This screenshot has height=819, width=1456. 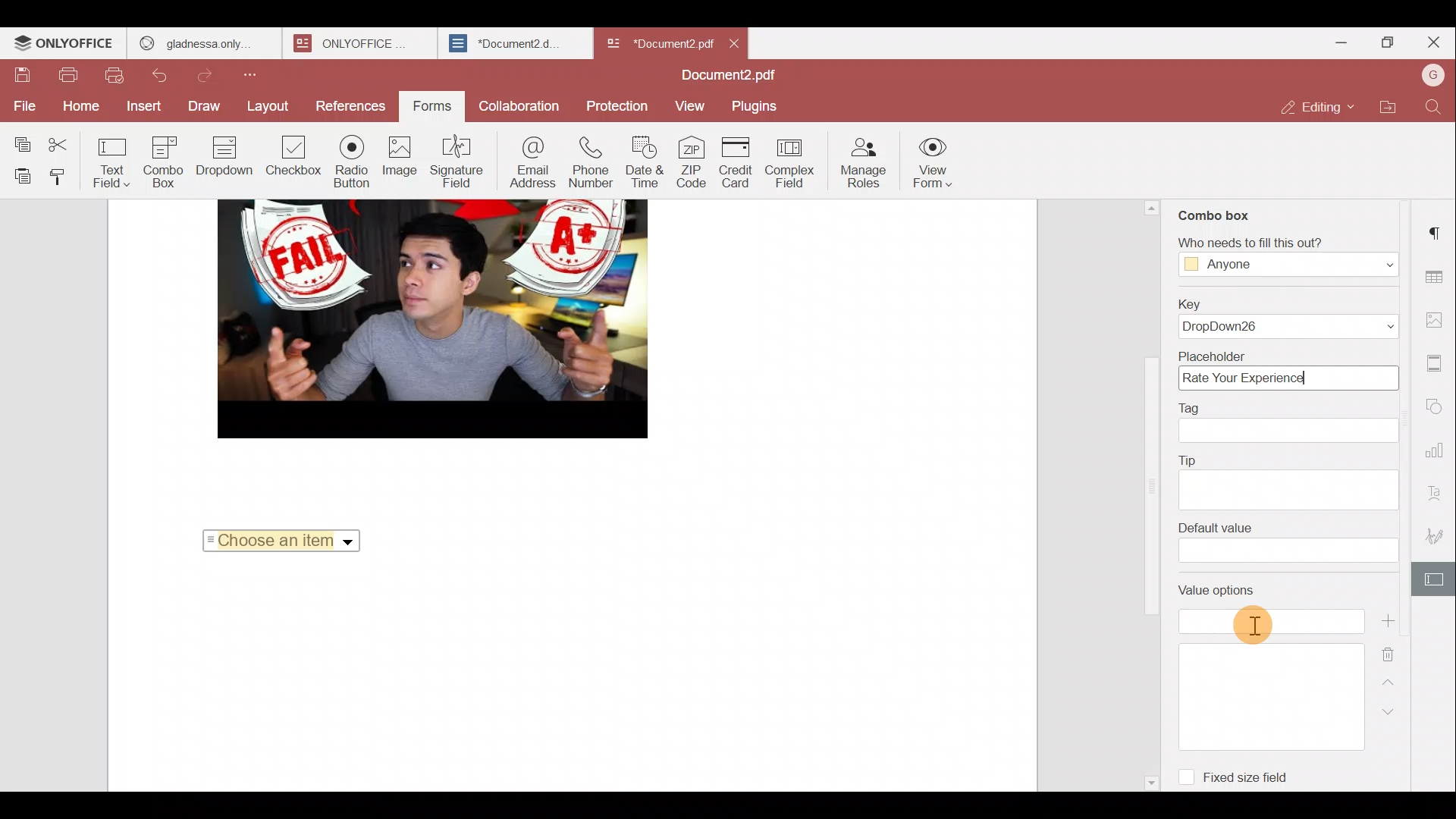 What do you see at coordinates (22, 141) in the screenshot?
I see `Copy` at bounding box center [22, 141].